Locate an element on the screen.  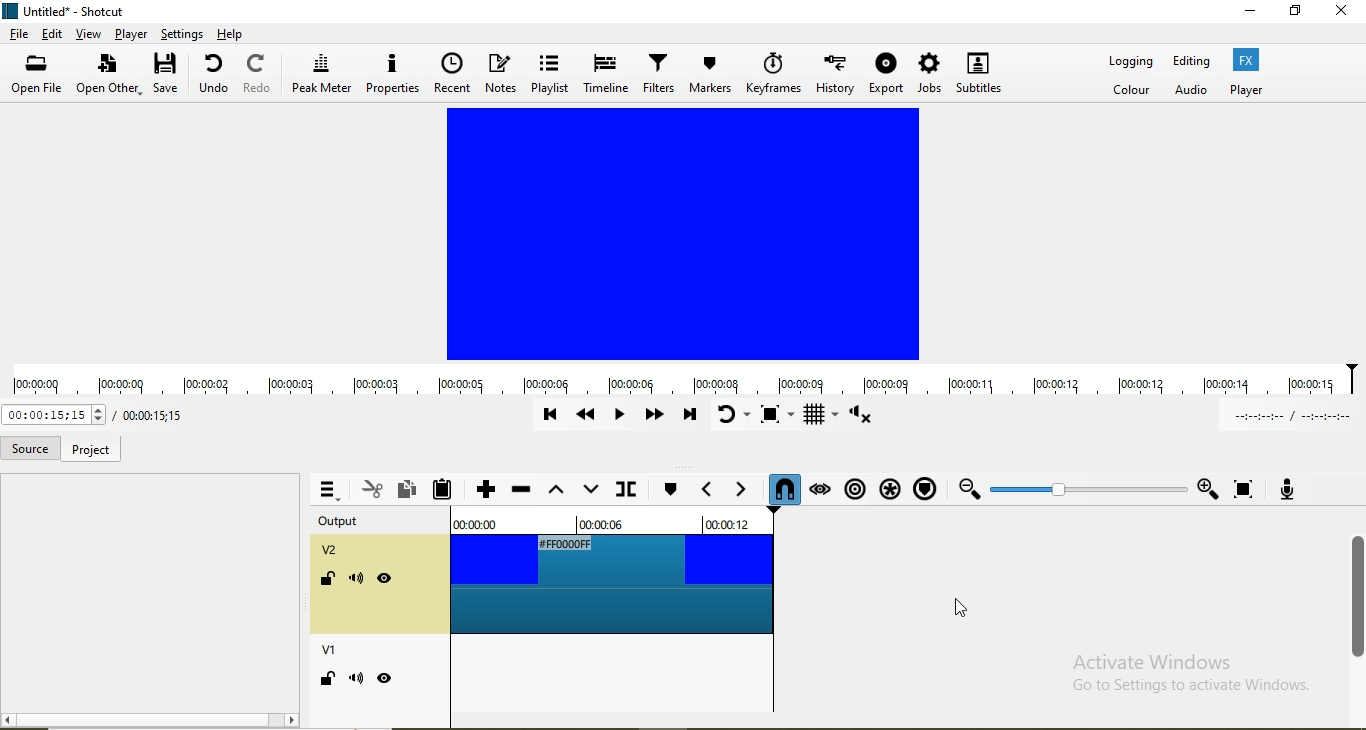
help is located at coordinates (232, 33).